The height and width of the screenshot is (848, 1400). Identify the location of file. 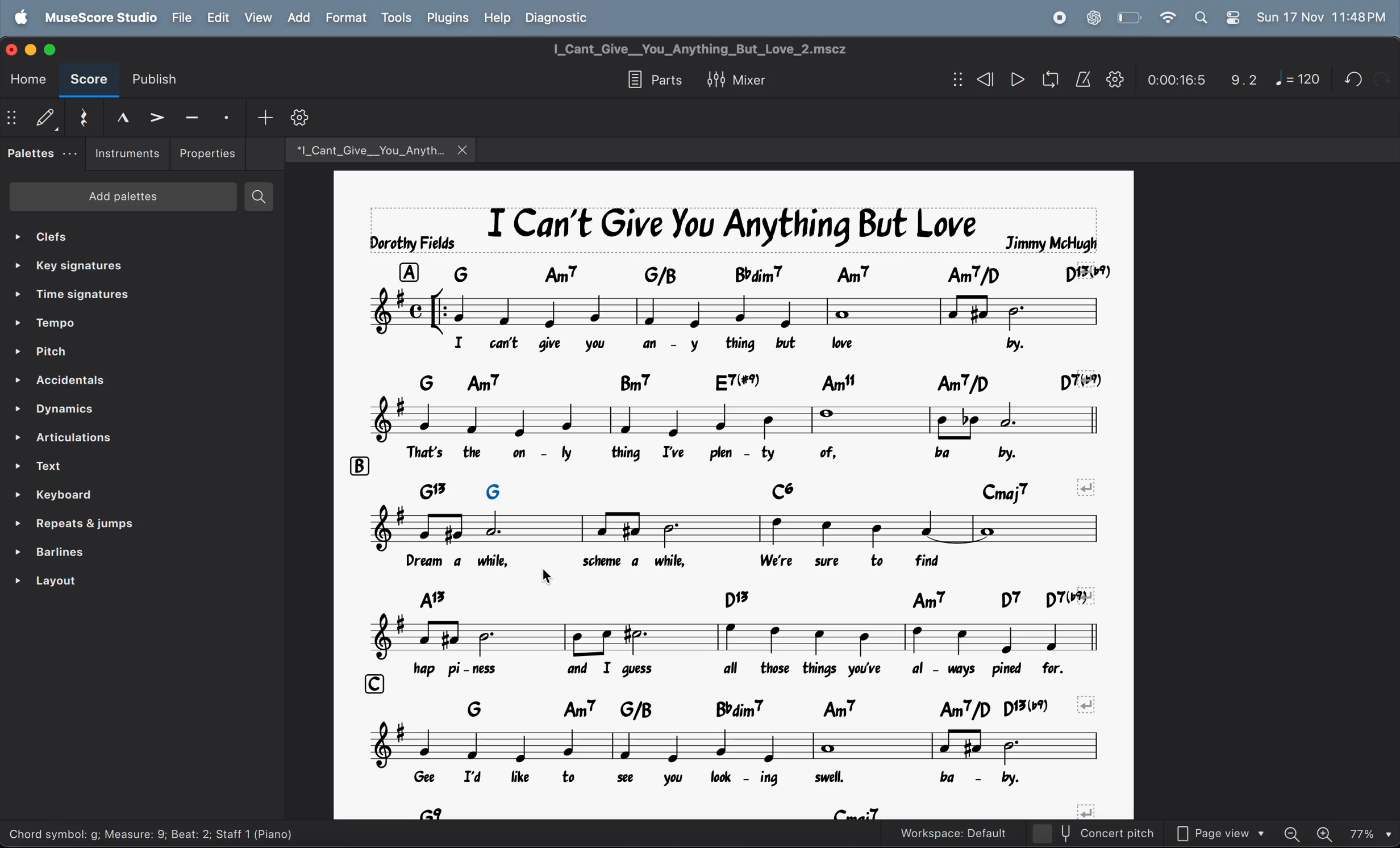
(183, 18).